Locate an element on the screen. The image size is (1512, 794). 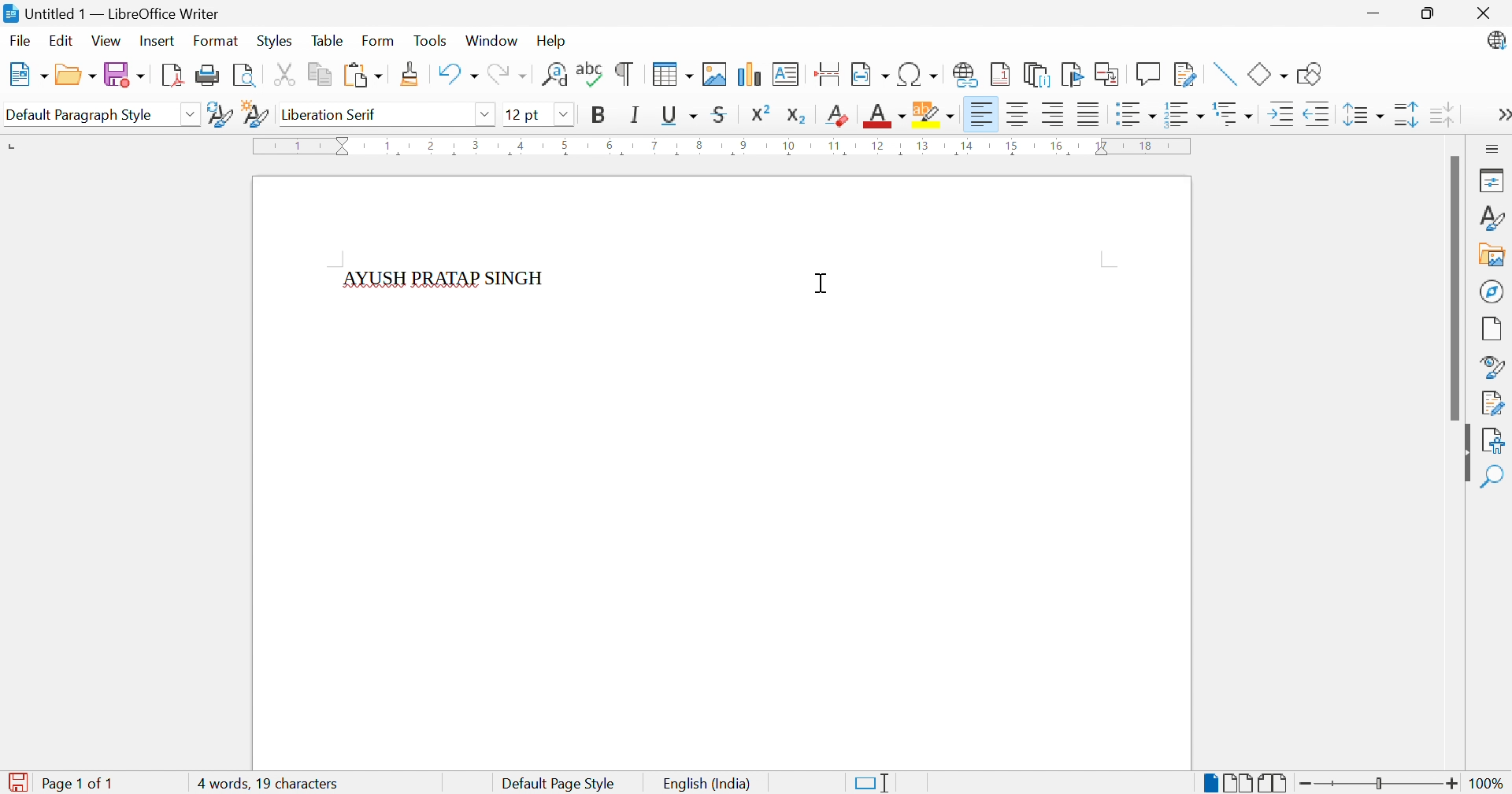
Restore Down is located at coordinates (1429, 11).